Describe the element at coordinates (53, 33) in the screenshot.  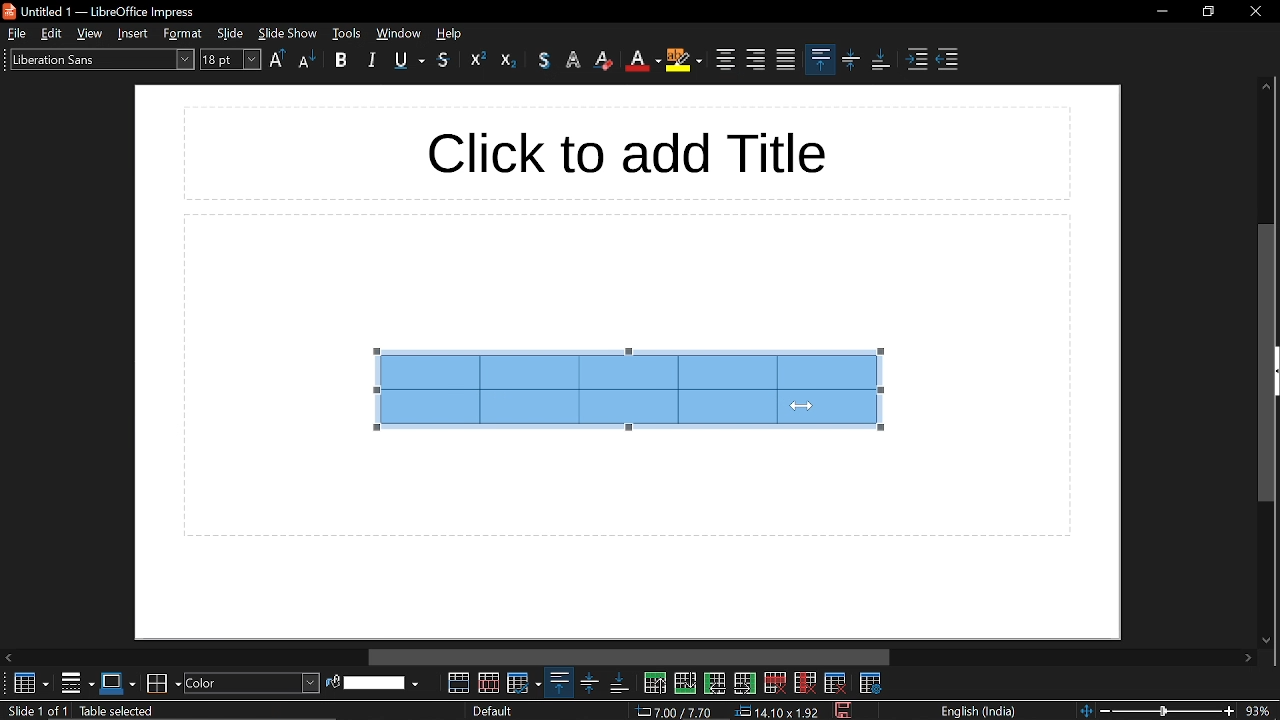
I see `edit` at that location.